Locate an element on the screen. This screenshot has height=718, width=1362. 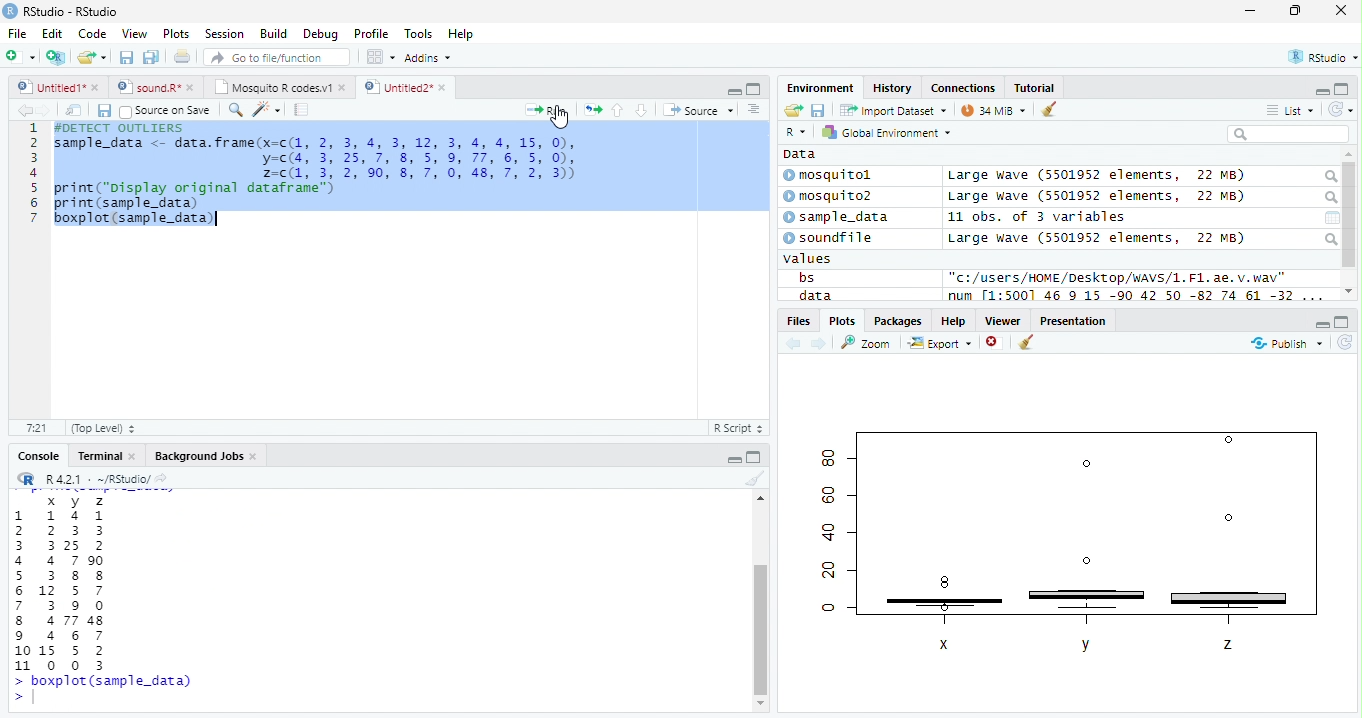
search is located at coordinates (1329, 198).